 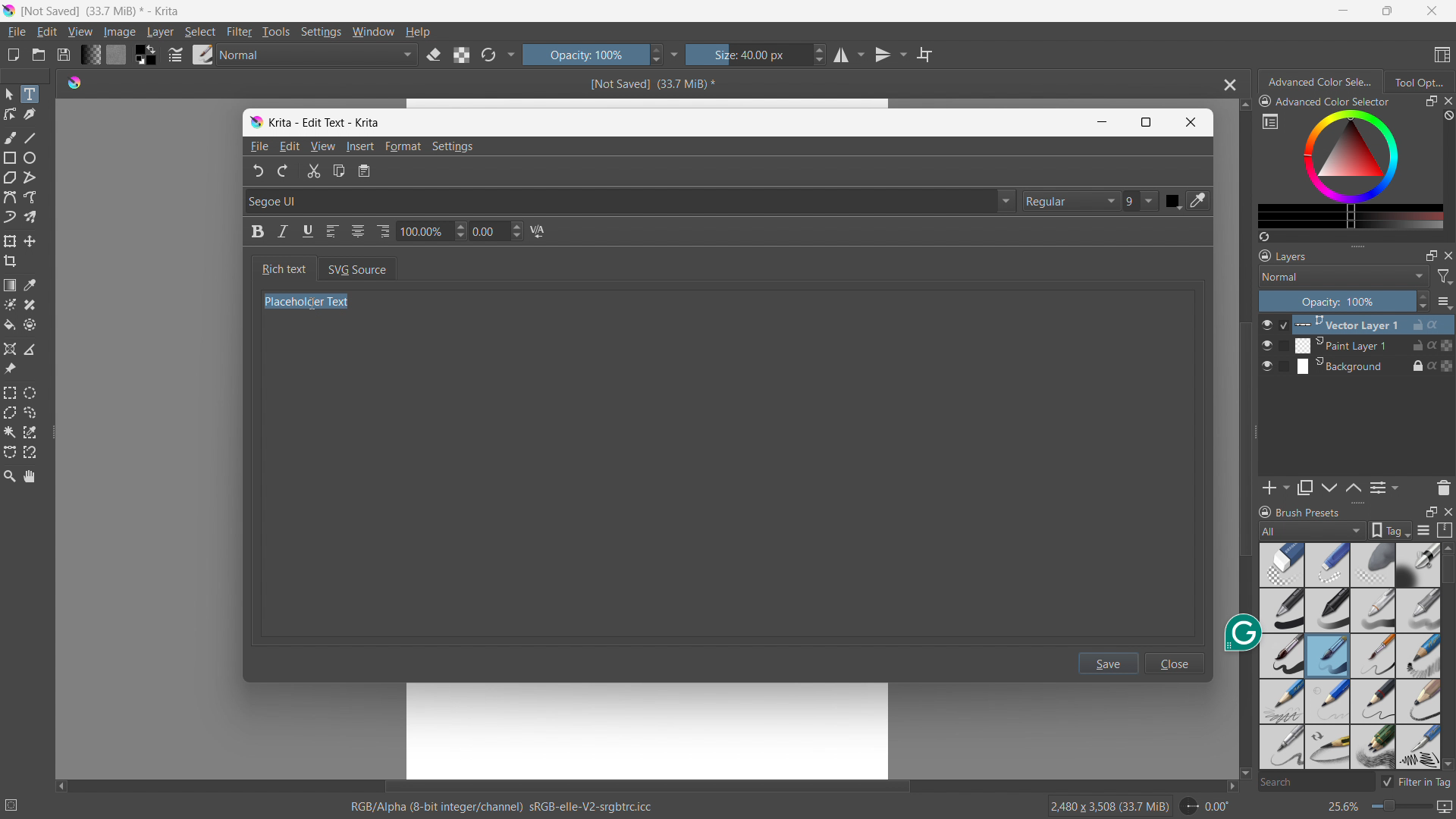 What do you see at coordinates (646, 784) in the screenshot?
I see `horizontal scrollbar` at bounding box center [646, 784].